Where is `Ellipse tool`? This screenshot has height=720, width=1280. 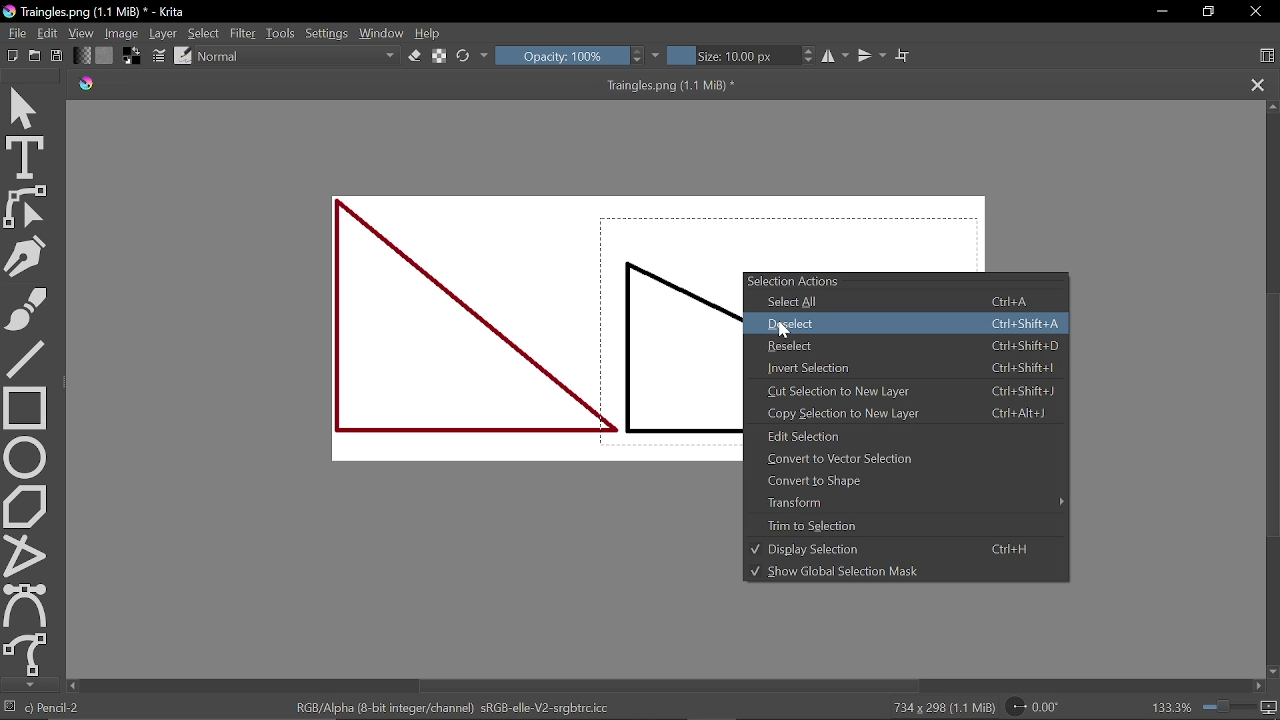 Ellipse tool is located at coordinates (25, 457).